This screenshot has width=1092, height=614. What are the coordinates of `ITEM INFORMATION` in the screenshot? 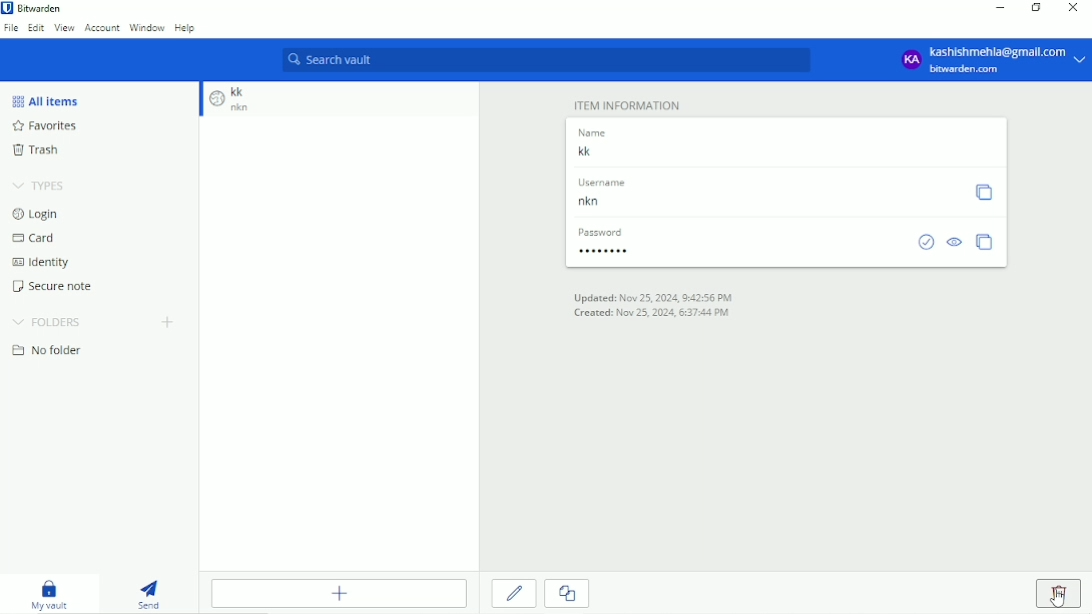 It's located at (629, 104).